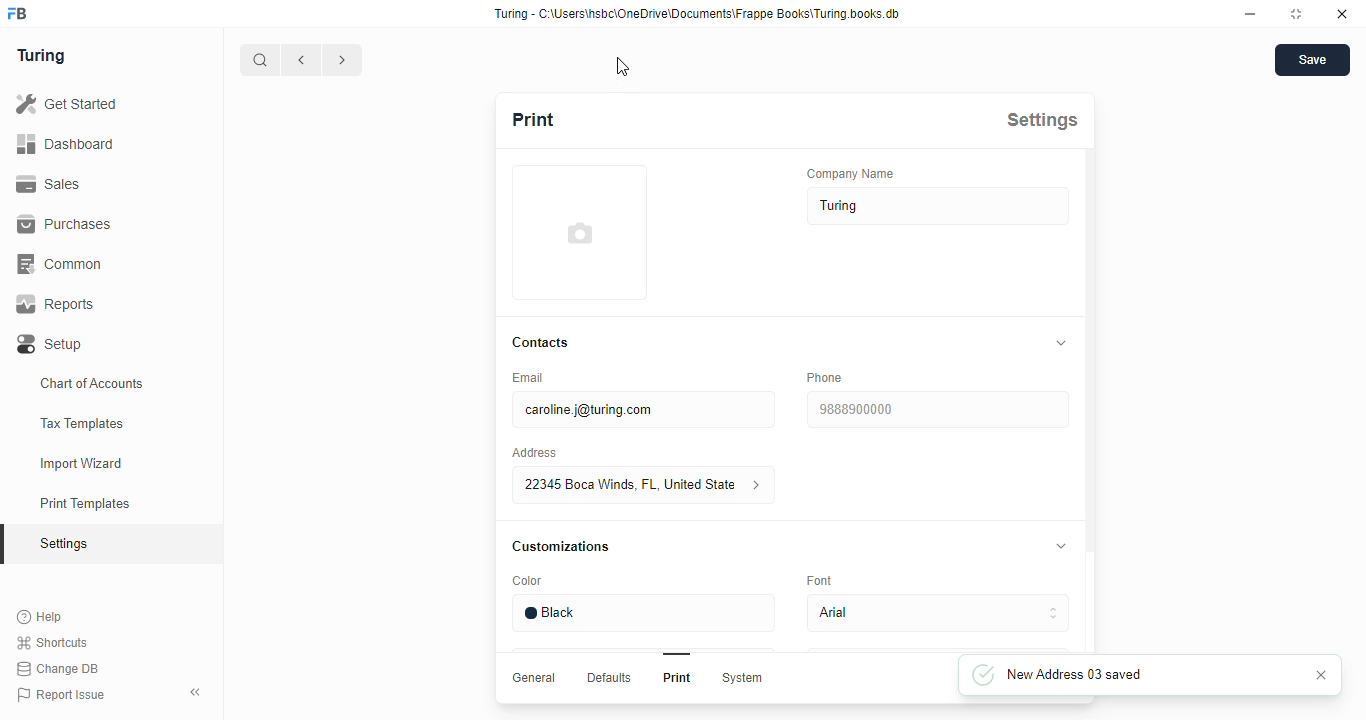 The width and height of the screenshot is (1366, 720). I want to click on caroline.j@turing.com, so click(645, 409).